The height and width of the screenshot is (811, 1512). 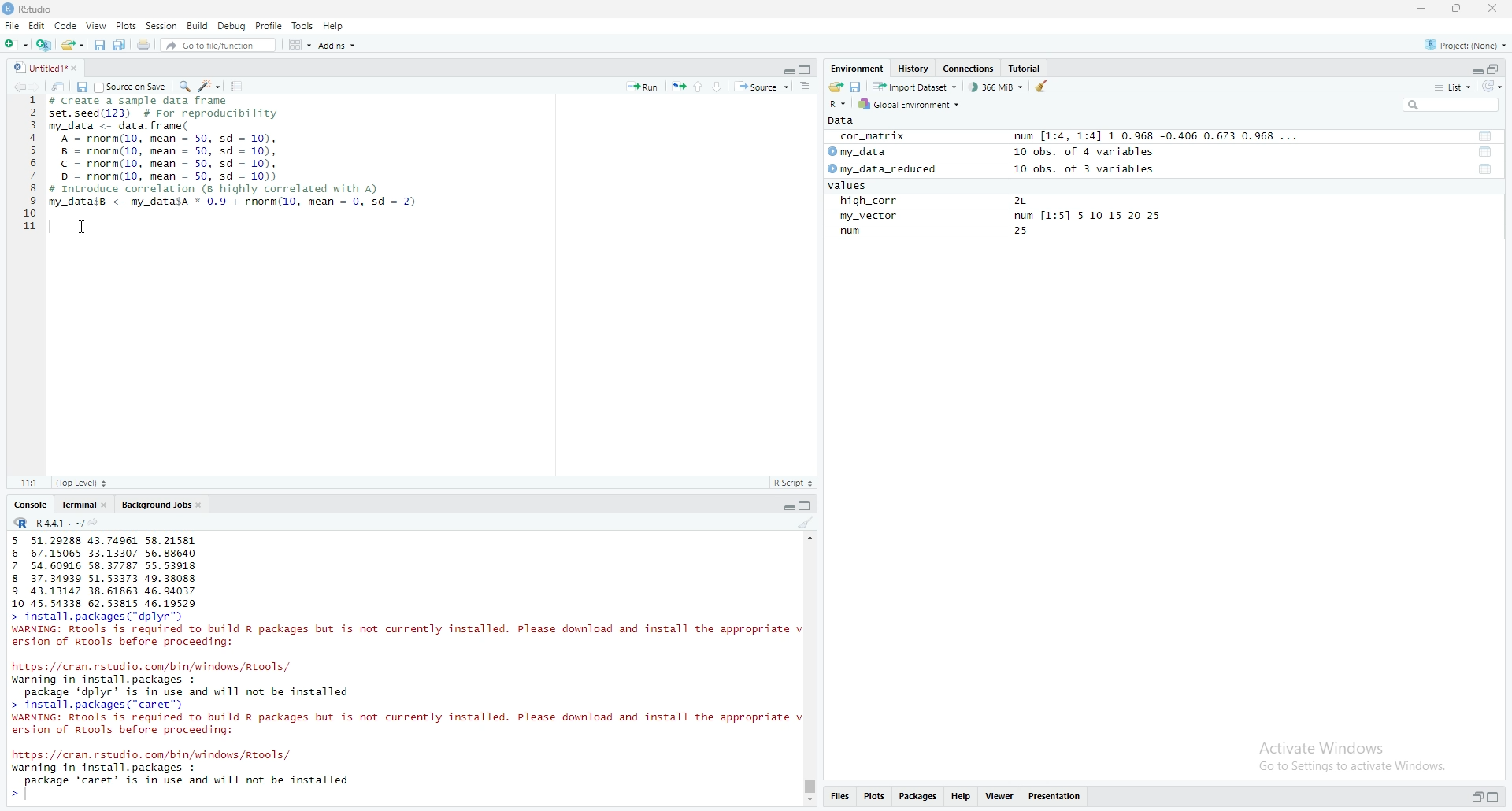 What do you see at coordinates (269, 25) in the screenshot?
I see `Profile` at bounding box center [269, 25].